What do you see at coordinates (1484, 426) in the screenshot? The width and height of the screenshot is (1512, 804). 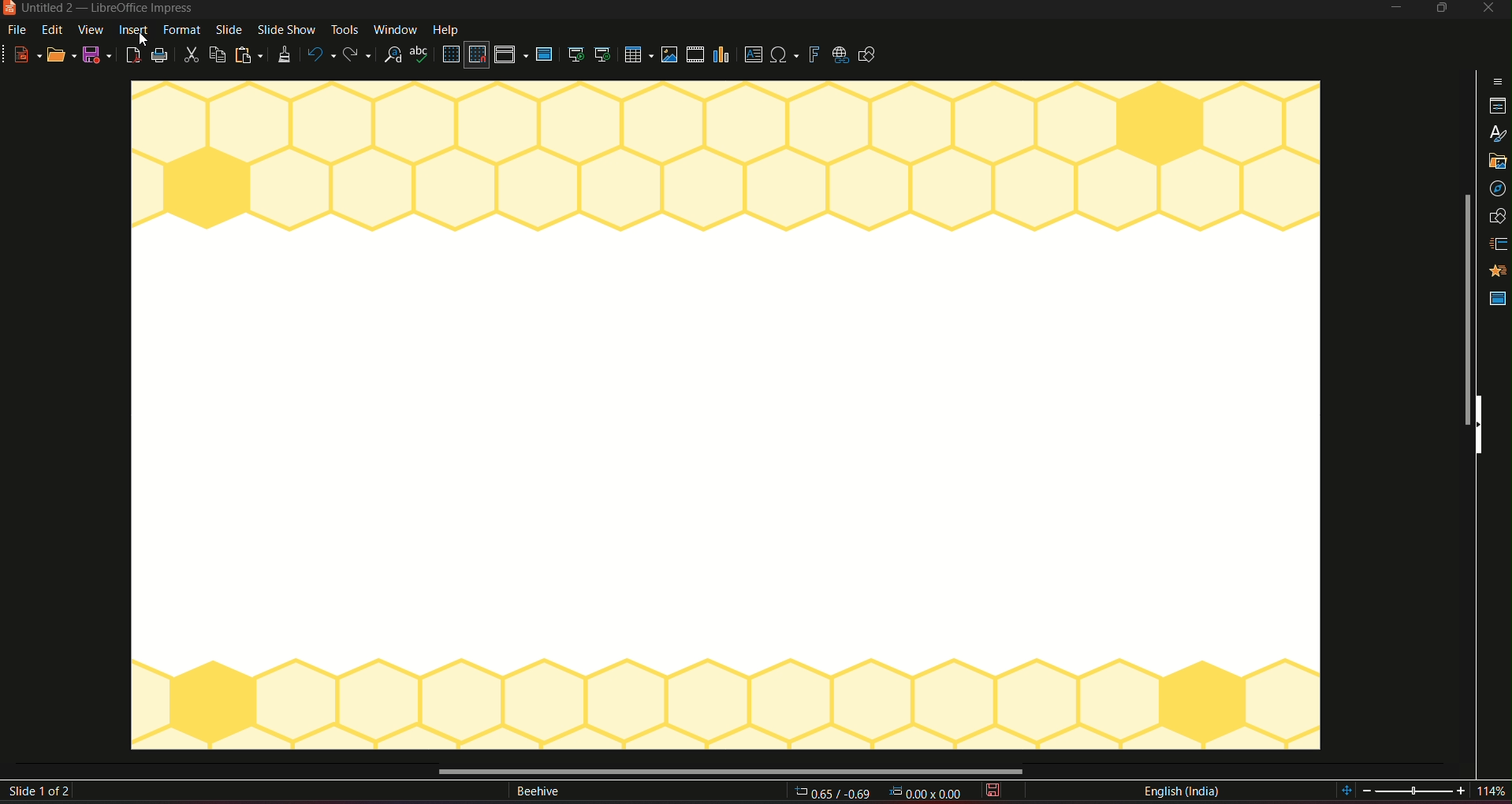 I see `hide sidebar` at bounding box center [1484, 426].